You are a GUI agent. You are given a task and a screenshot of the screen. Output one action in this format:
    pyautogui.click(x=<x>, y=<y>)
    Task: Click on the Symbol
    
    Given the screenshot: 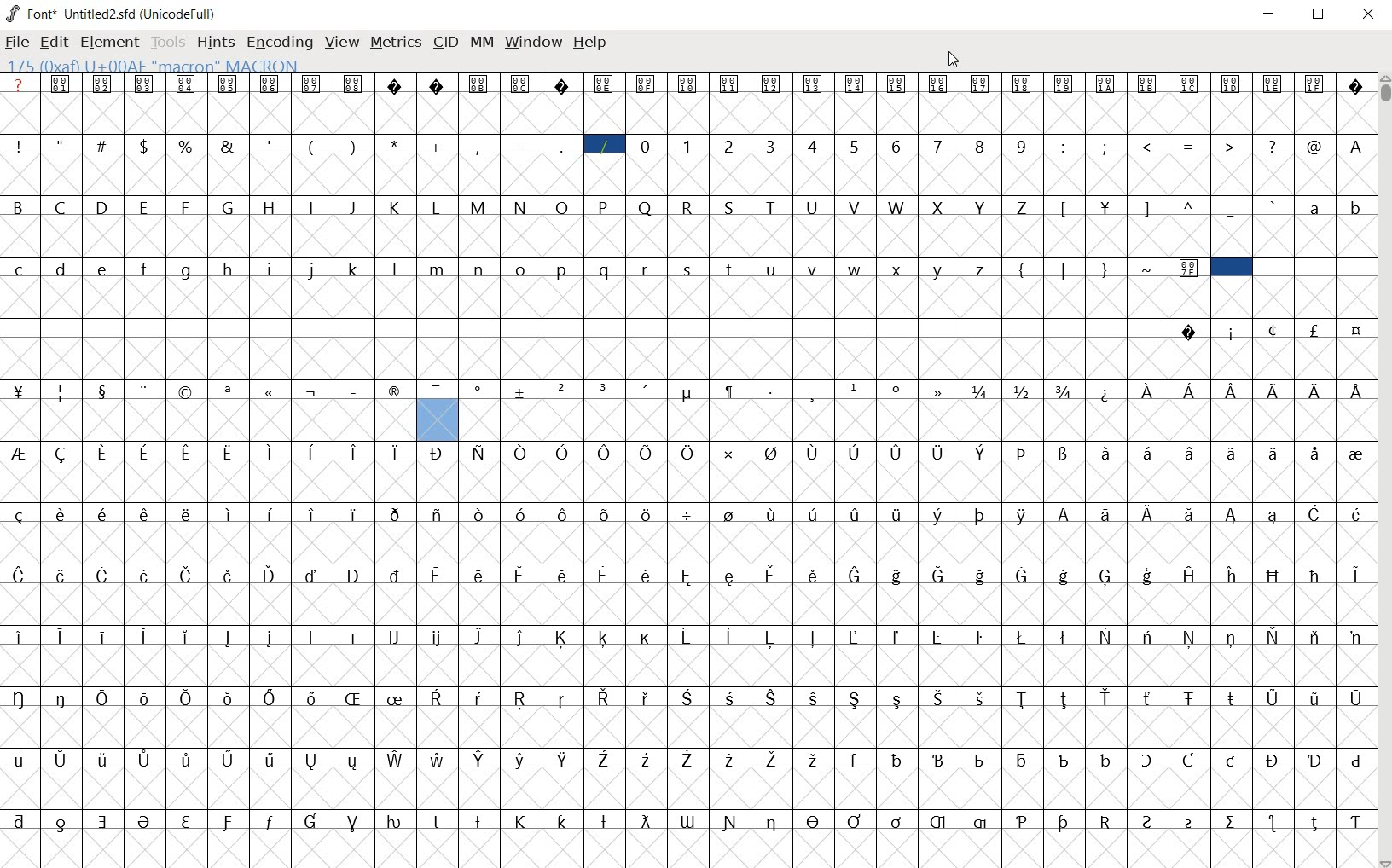 What is the action you would take?
    pyautogui.click(x=270, y=83)
    